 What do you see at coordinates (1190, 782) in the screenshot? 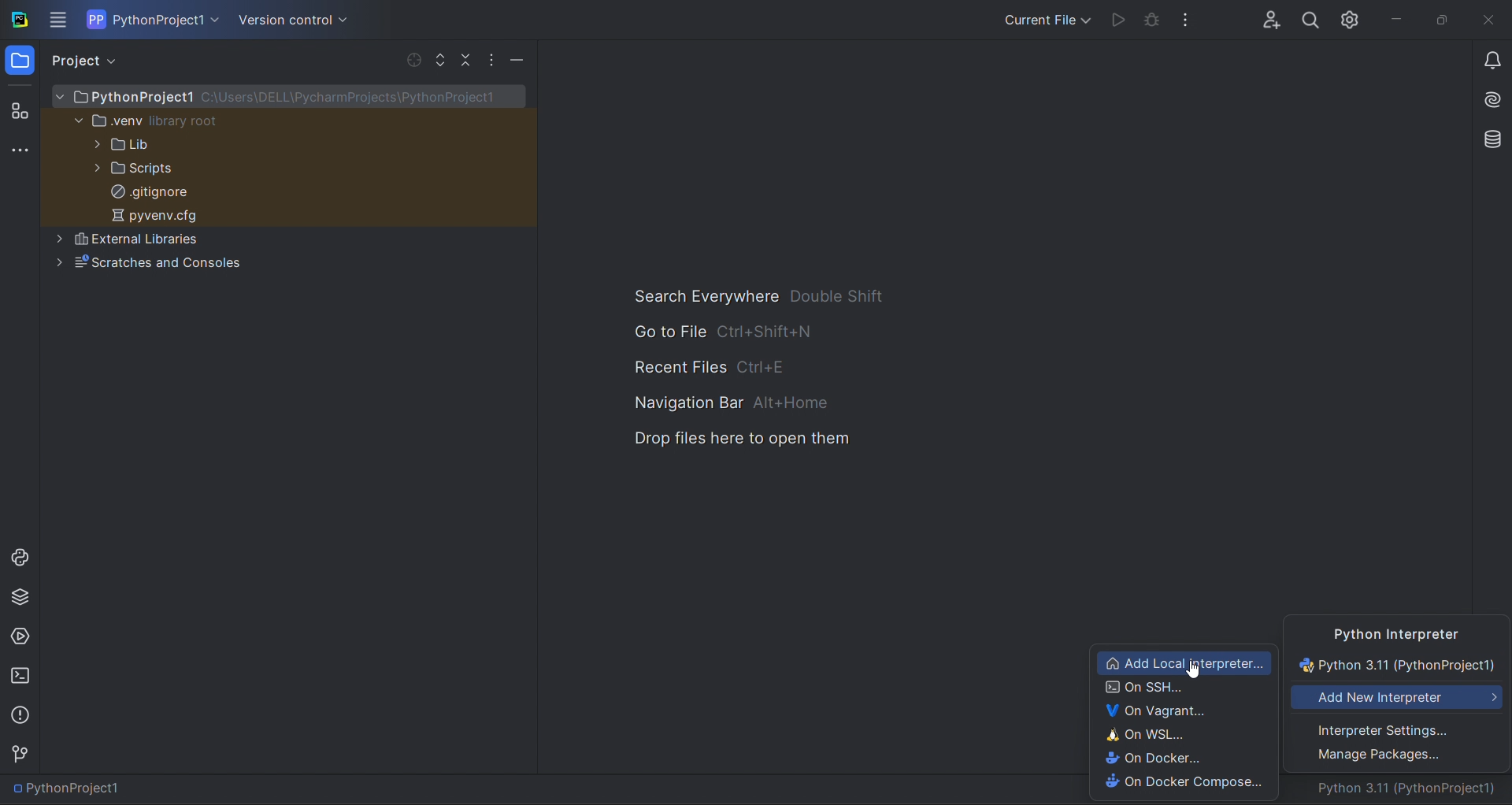
I see `docker compose` at bounding box center [1190, 782].